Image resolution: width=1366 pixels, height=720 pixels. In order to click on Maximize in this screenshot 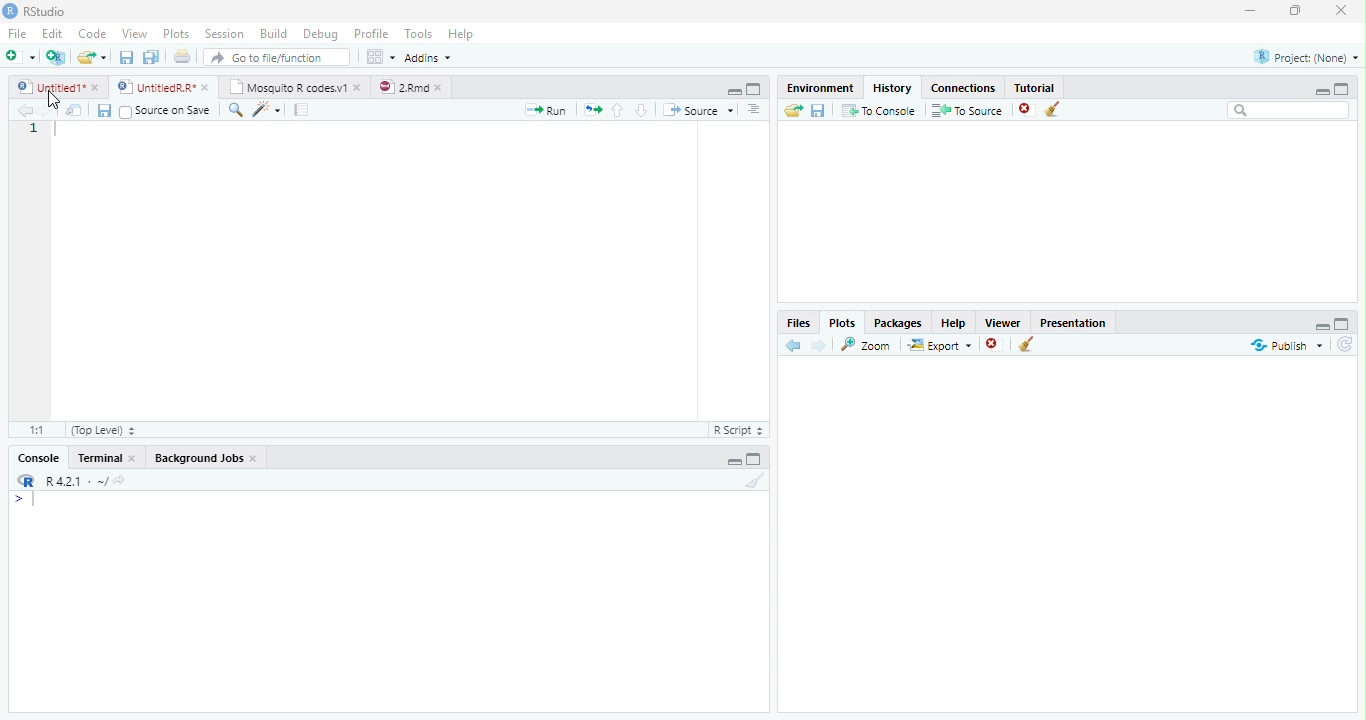, I will do `click(1296, 11)`.